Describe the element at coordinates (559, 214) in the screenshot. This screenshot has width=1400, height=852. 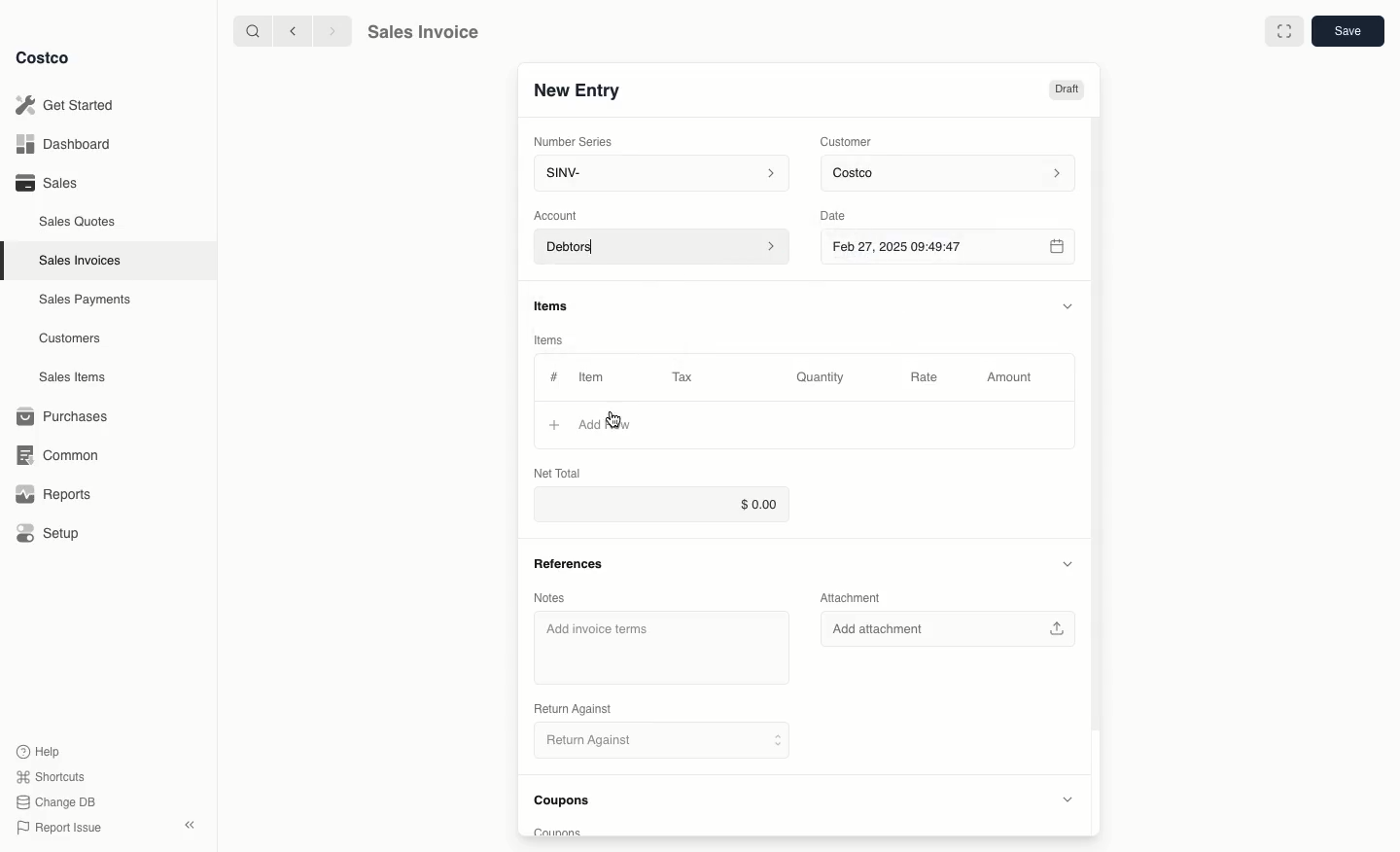
I see `‘Account` at that location.